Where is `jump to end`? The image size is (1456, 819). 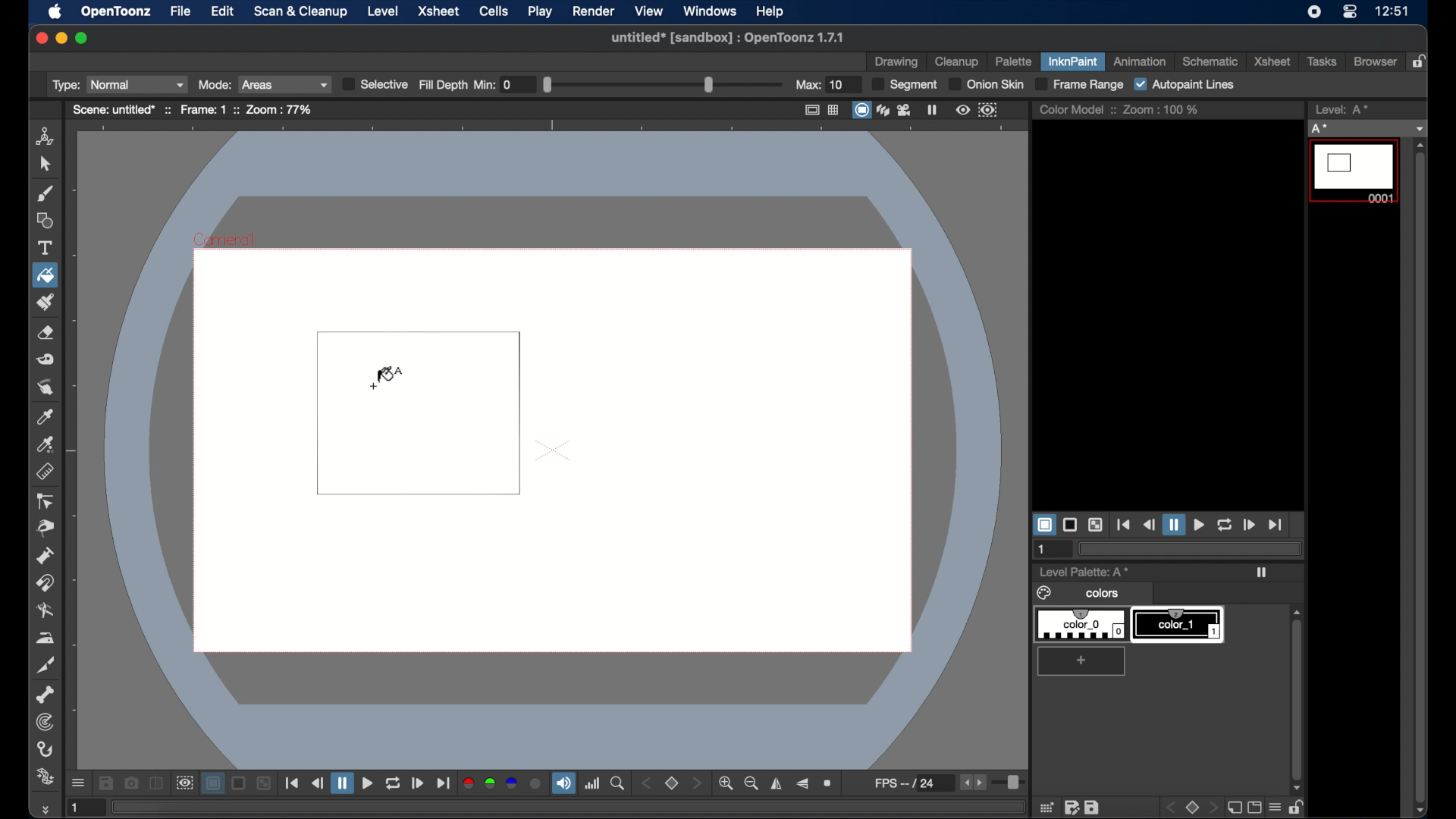 jump to end is located at coordinates (1276, 525).